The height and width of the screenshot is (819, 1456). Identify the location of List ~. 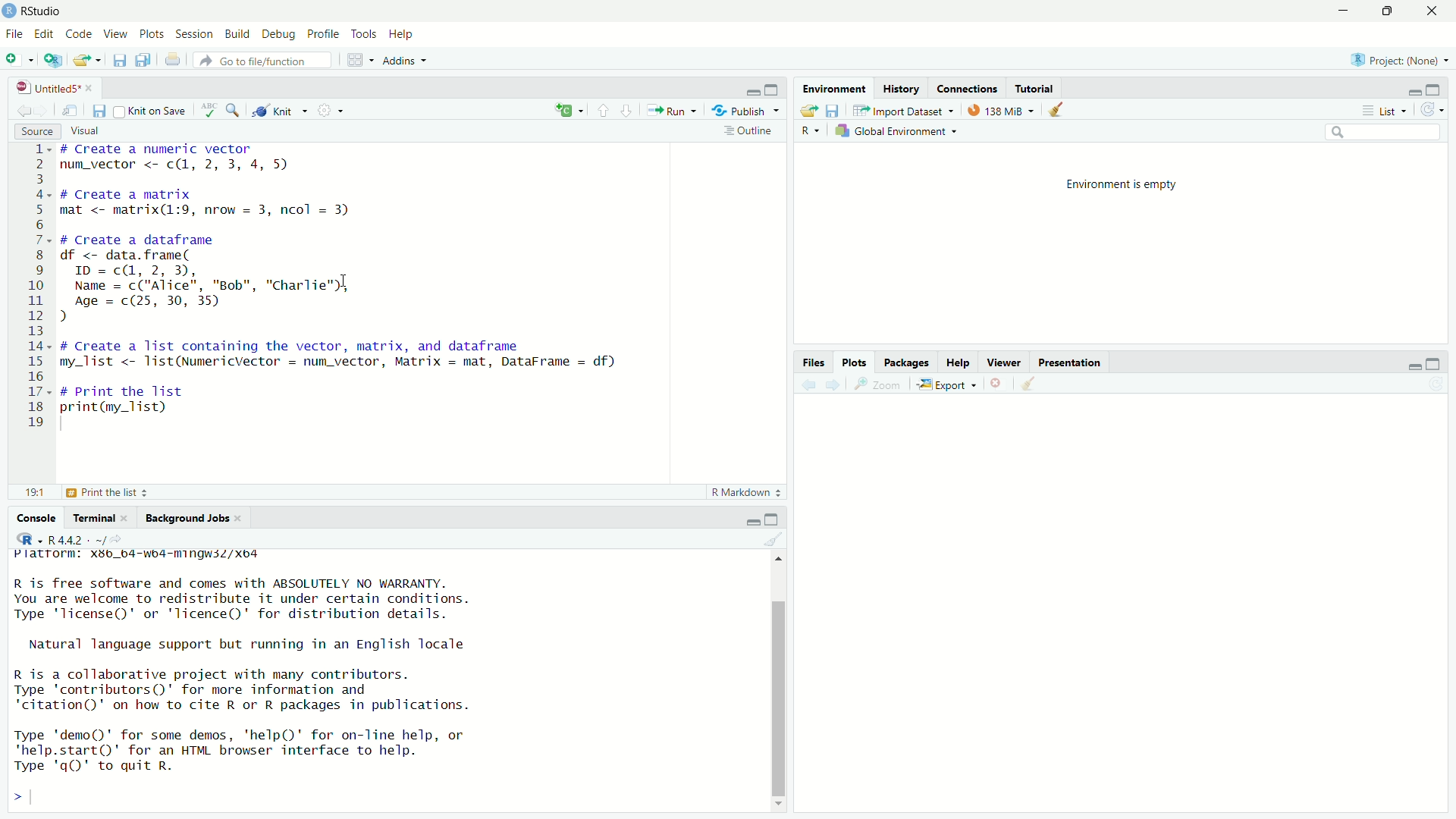
(1386, 110).